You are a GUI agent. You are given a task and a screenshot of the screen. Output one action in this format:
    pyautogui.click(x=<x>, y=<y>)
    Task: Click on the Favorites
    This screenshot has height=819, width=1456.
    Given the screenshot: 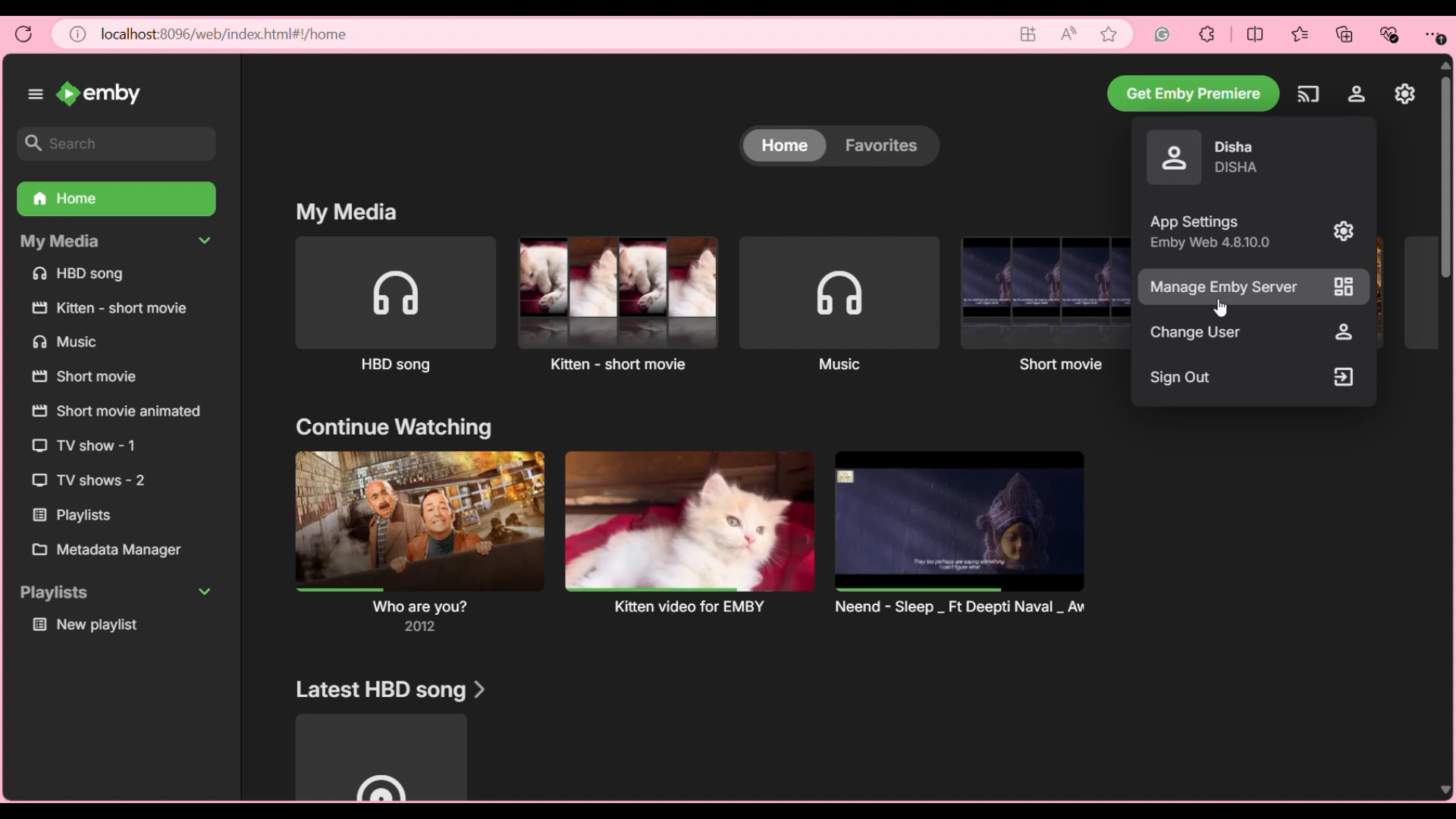 What is the action you would take?
    pyautogui.click(x=887, y=146)
    